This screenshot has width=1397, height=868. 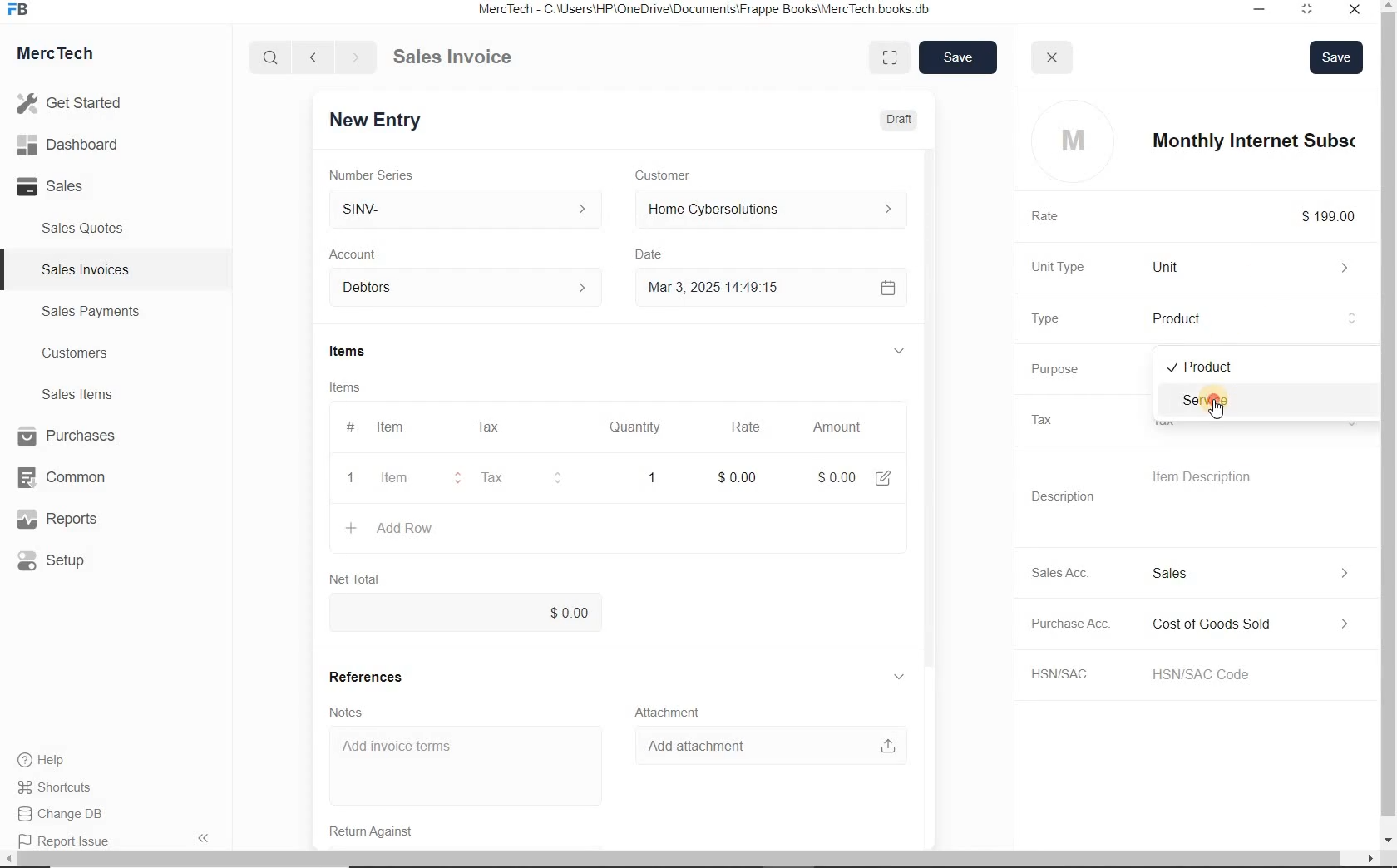 I want to click on Customers, so click(x=90, y=353).